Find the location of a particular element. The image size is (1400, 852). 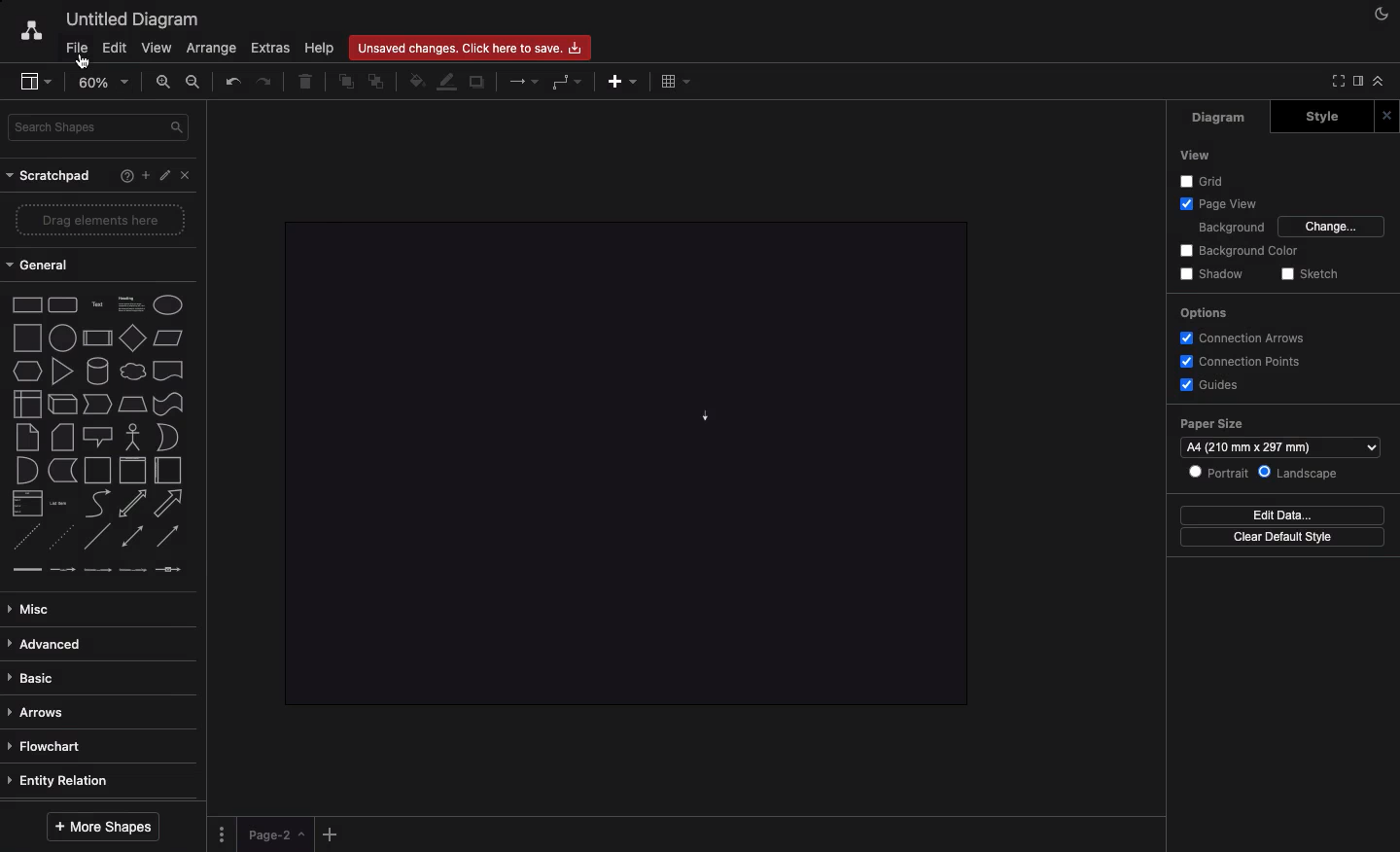

Arrange is located at coordinates (207, 49).